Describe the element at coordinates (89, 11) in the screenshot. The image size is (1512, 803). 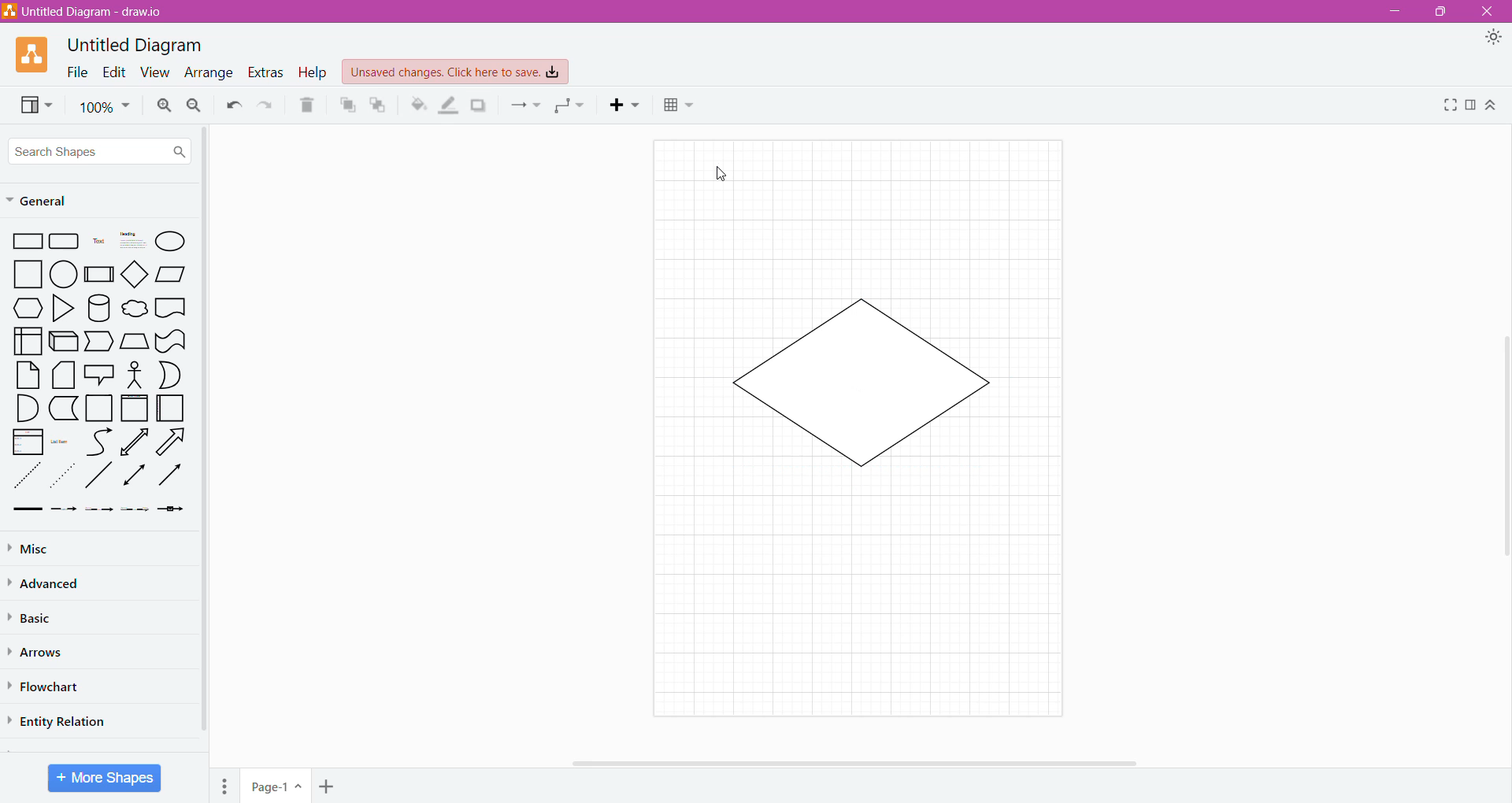
I see `Untitled Diagram - draw.io` at that location.